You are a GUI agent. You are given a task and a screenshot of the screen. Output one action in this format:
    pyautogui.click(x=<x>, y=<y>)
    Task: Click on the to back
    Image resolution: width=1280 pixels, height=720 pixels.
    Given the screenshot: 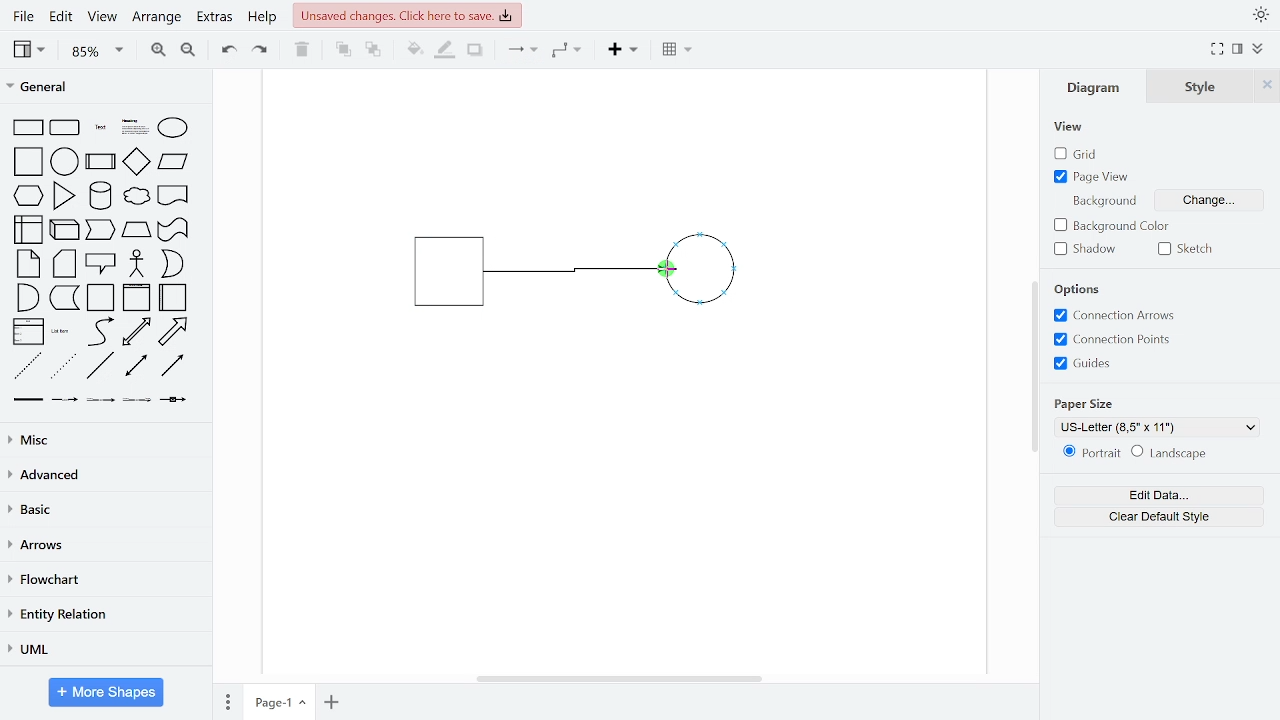 What is the action you would take?
    pyautogui.click(x=374, y=51)
    